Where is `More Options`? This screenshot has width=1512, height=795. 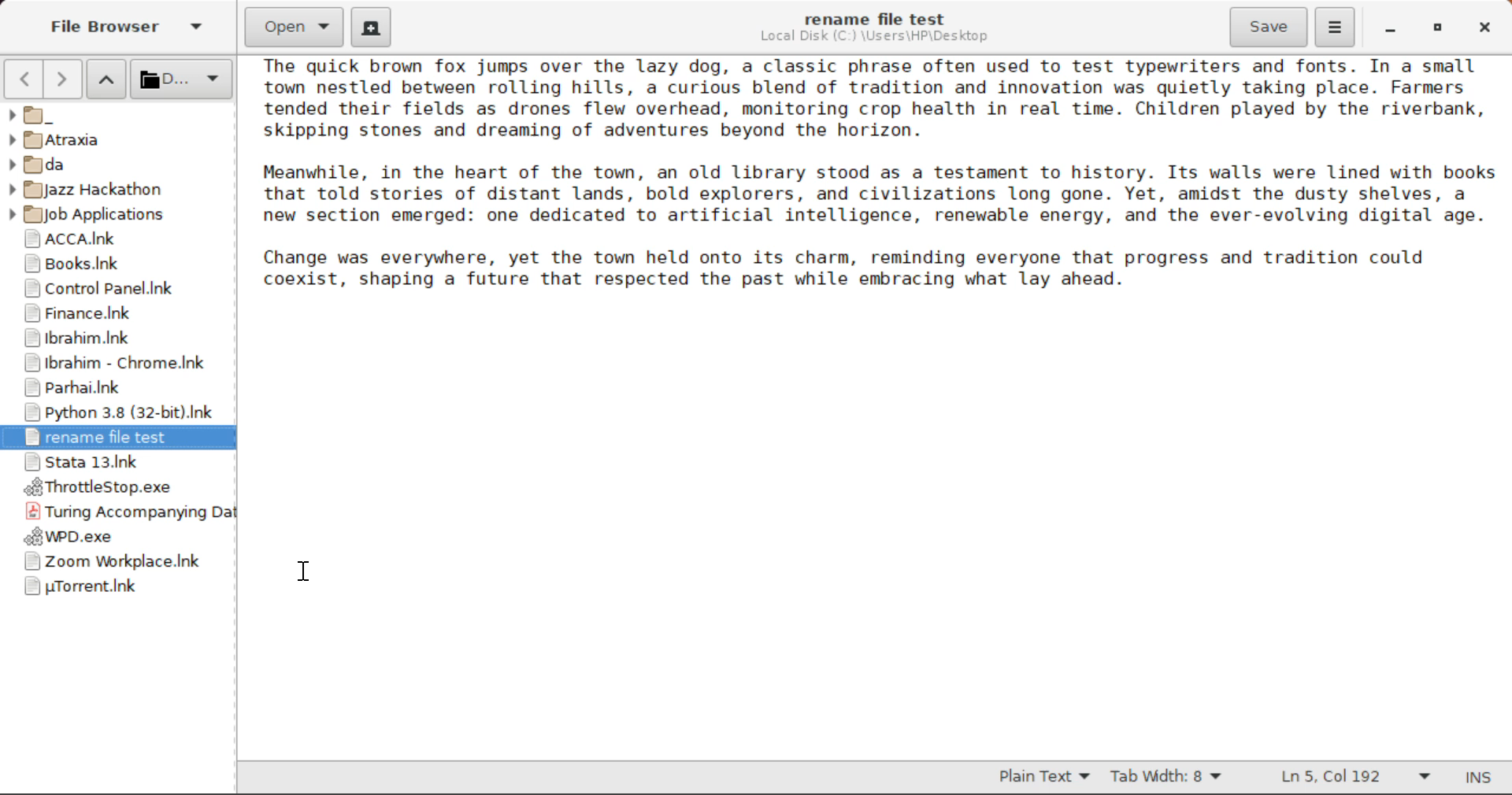 More Options is located at coordinates (1336, 26).